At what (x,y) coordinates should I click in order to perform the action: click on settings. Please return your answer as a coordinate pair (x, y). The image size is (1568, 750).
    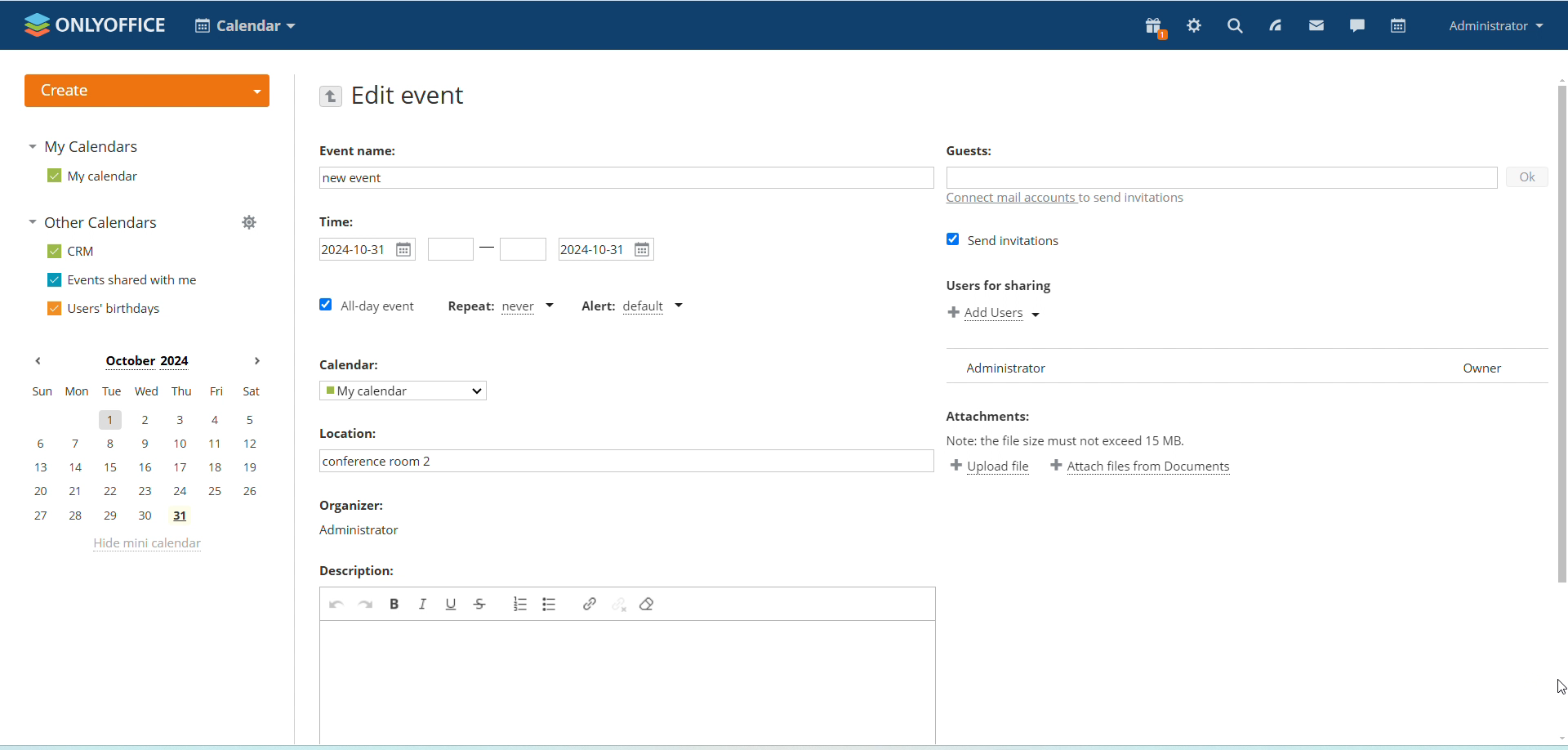
    Looking at the image, I should click on (1195, 27).